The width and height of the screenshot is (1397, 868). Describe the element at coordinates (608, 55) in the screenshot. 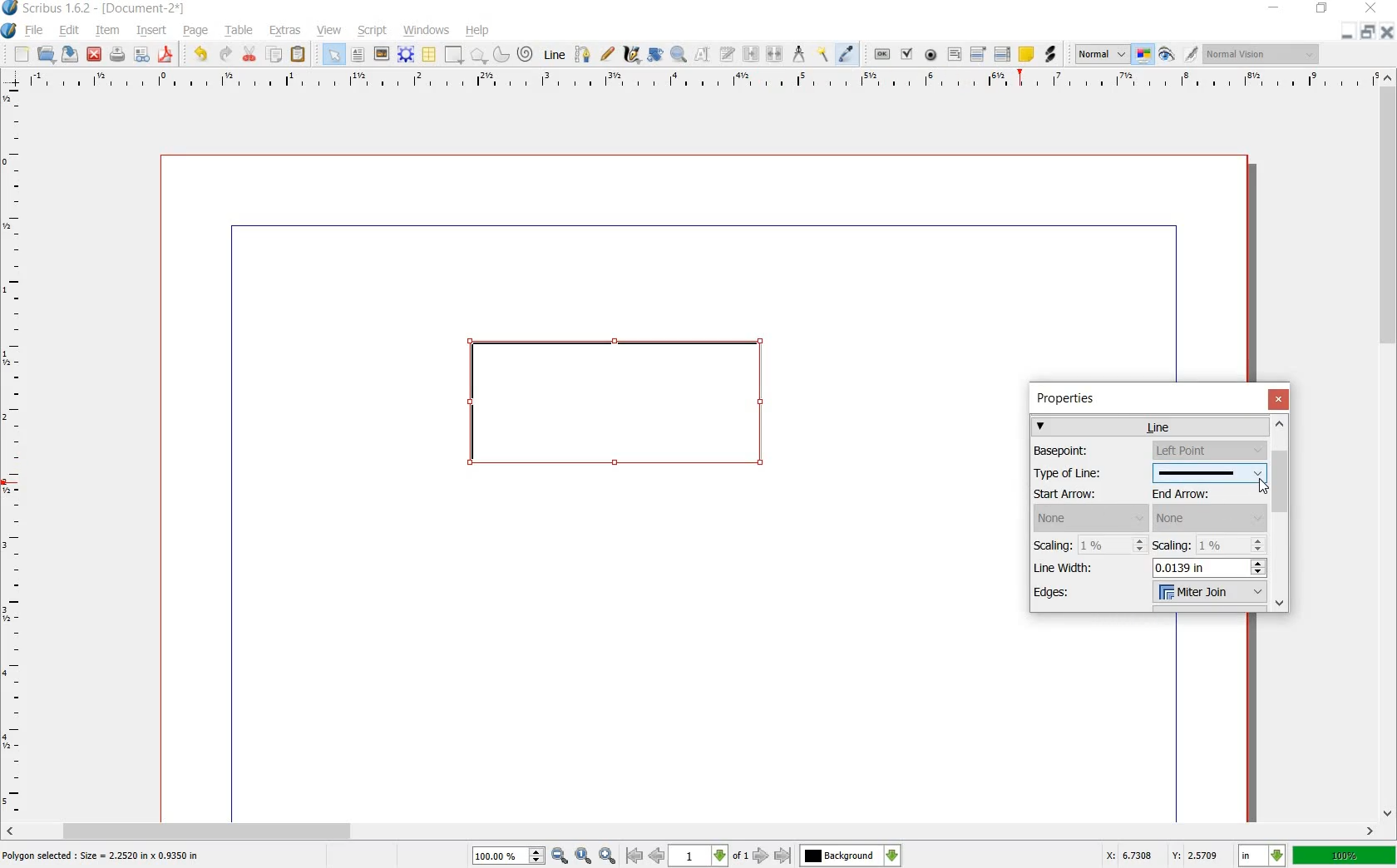

I see `FREEHAND LINE` at that location.